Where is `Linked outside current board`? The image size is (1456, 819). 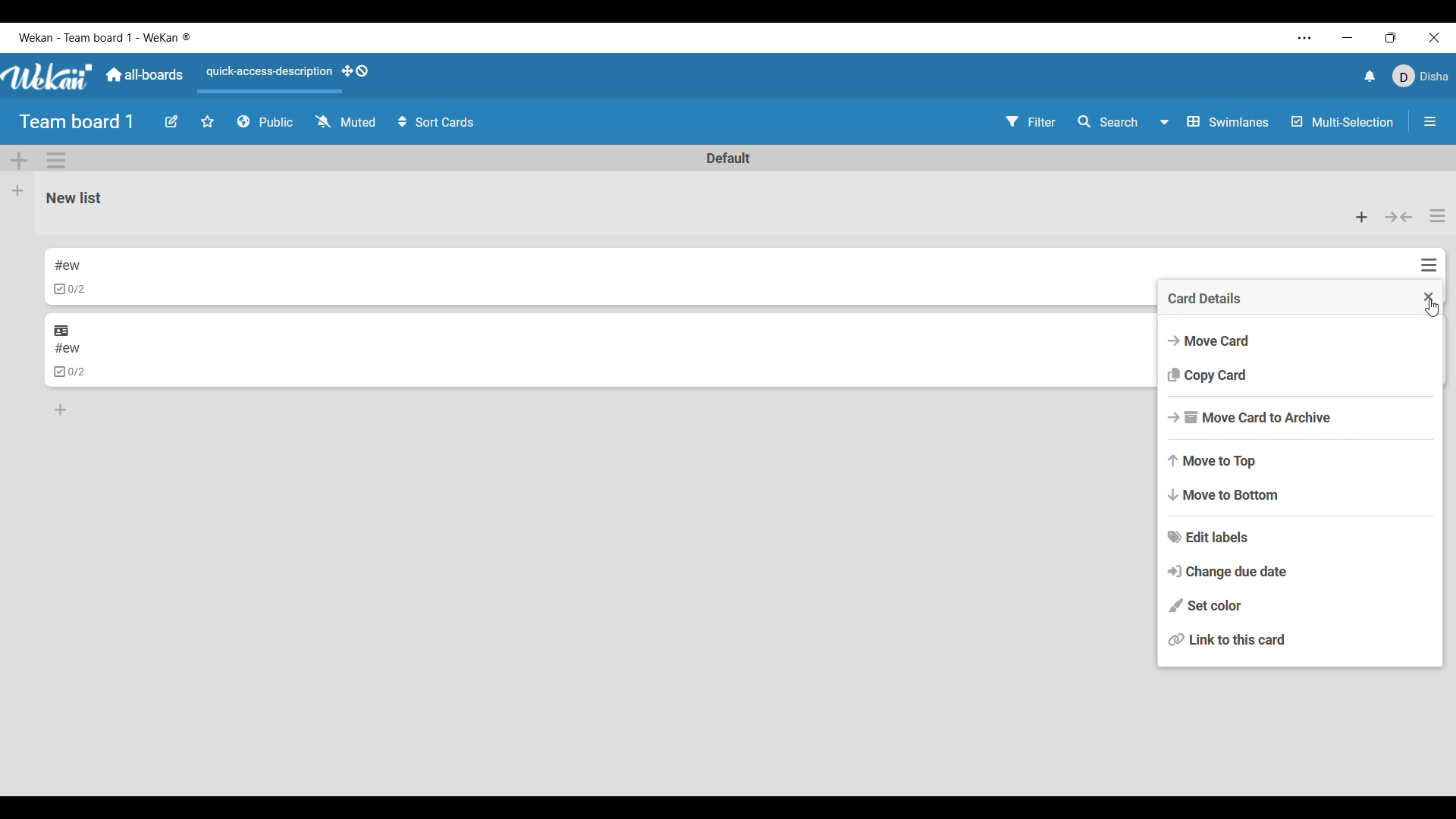 Linked outside current board is located at coordinates (61, 331).